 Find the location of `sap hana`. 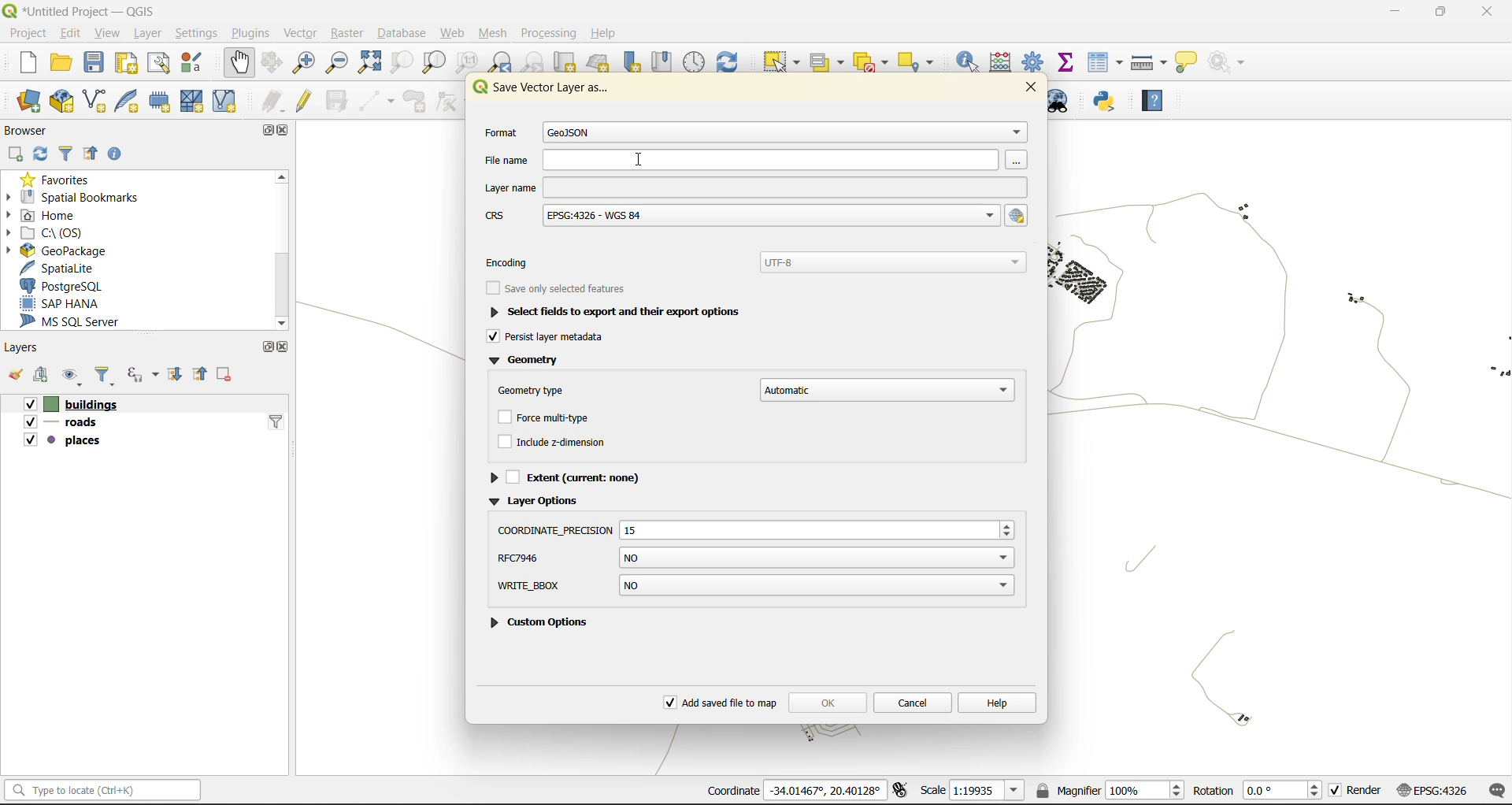

sap hana is located at coordinates (79, 303).